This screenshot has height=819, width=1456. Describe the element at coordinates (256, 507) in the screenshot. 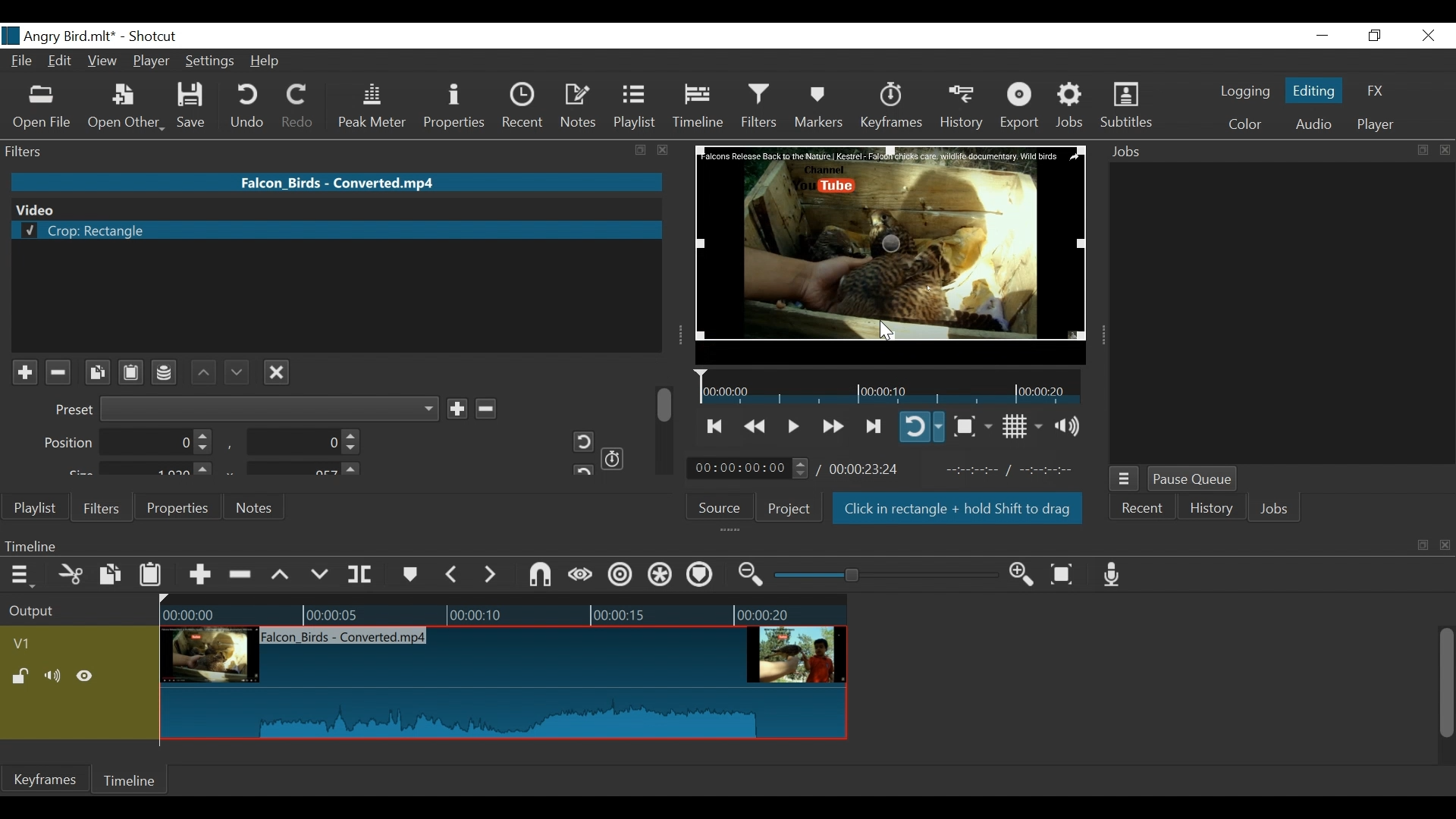

I see `Notes` at that location.